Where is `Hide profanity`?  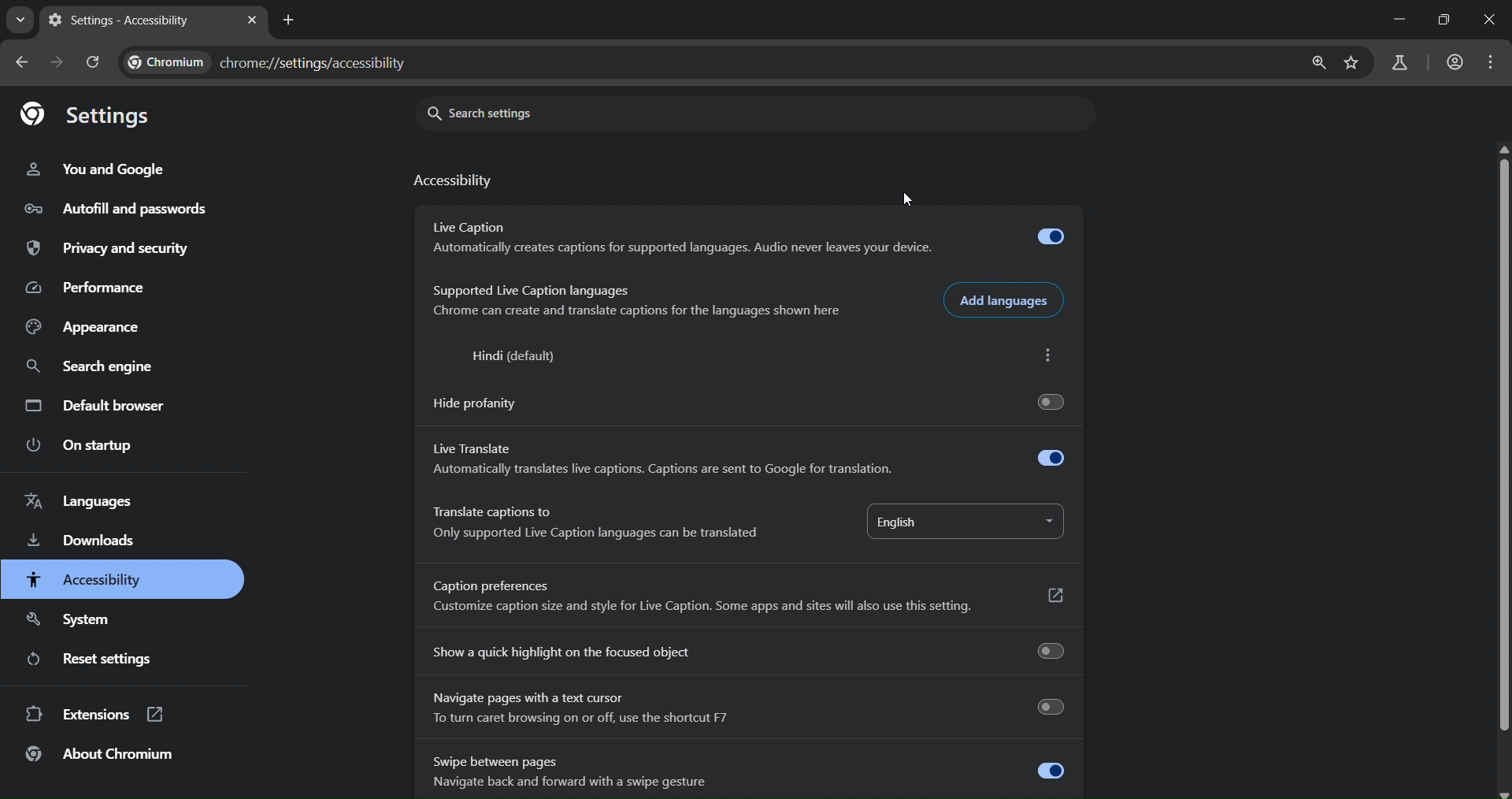
Hide profanity is located at coordinates (471, 404).